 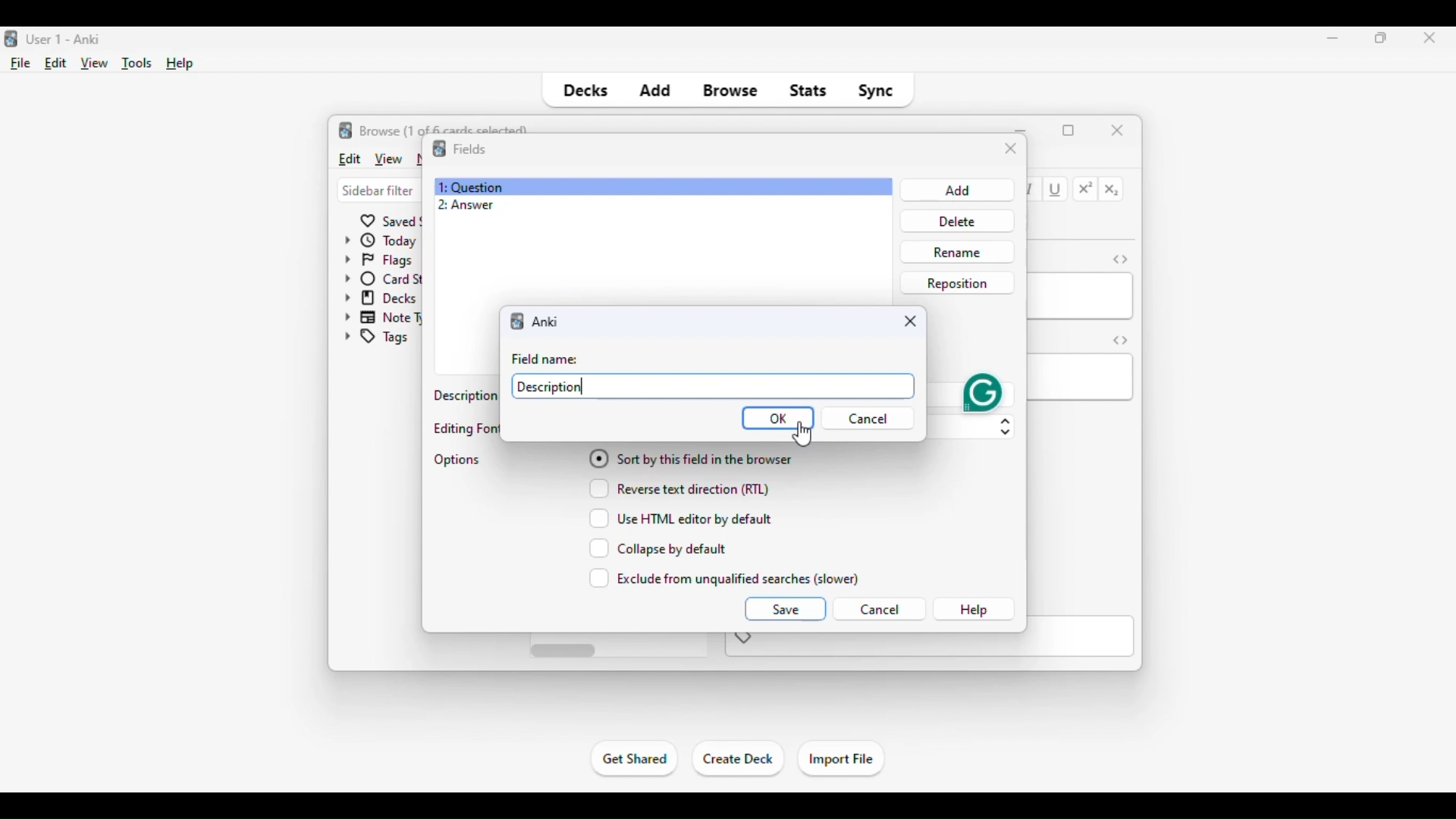 I want to click on delete, so click(x=954, y=221).